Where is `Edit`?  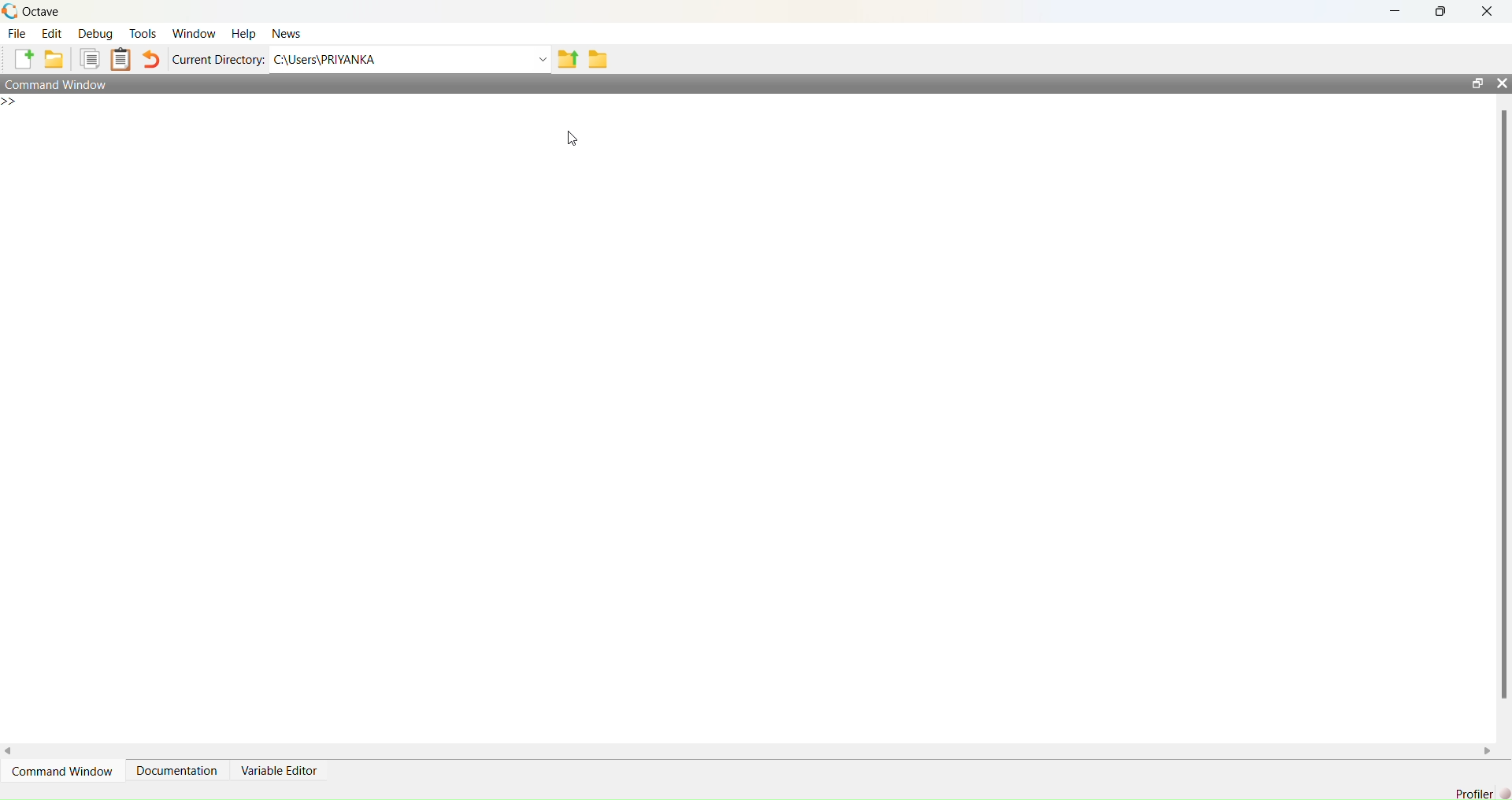
Edit is located at coordinates (54, 34).